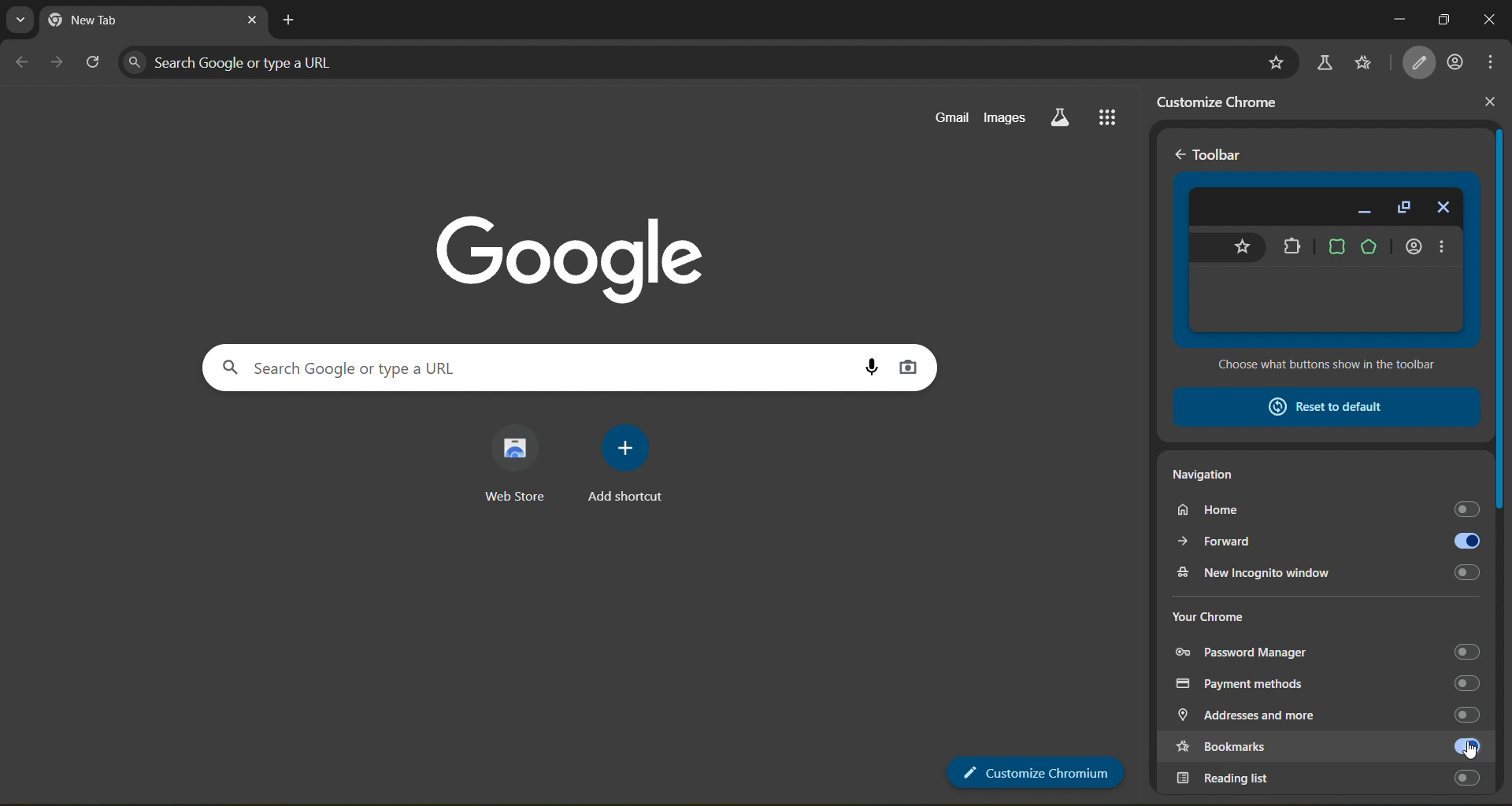 The image size is (1512, 806). Describe the element at coordinates (1277, 59) in the screenshot. I see `bookmark page` at that location.